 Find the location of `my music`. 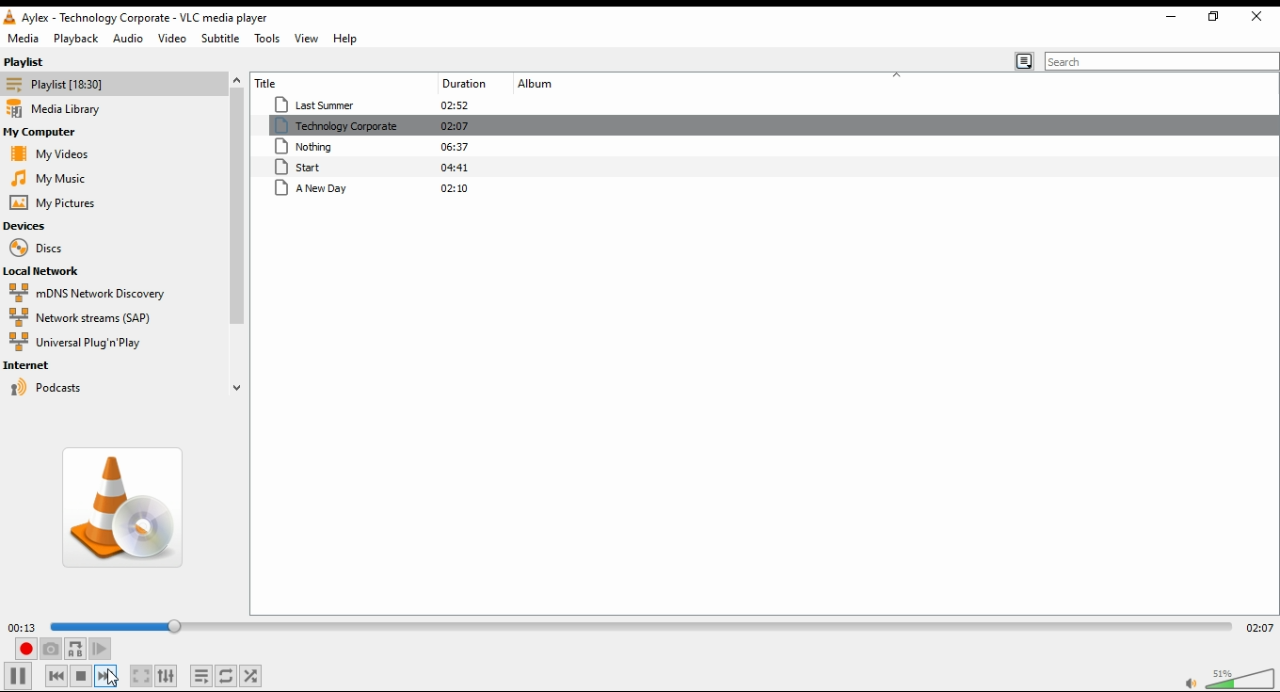

my music is located at coordinates (49, 178).